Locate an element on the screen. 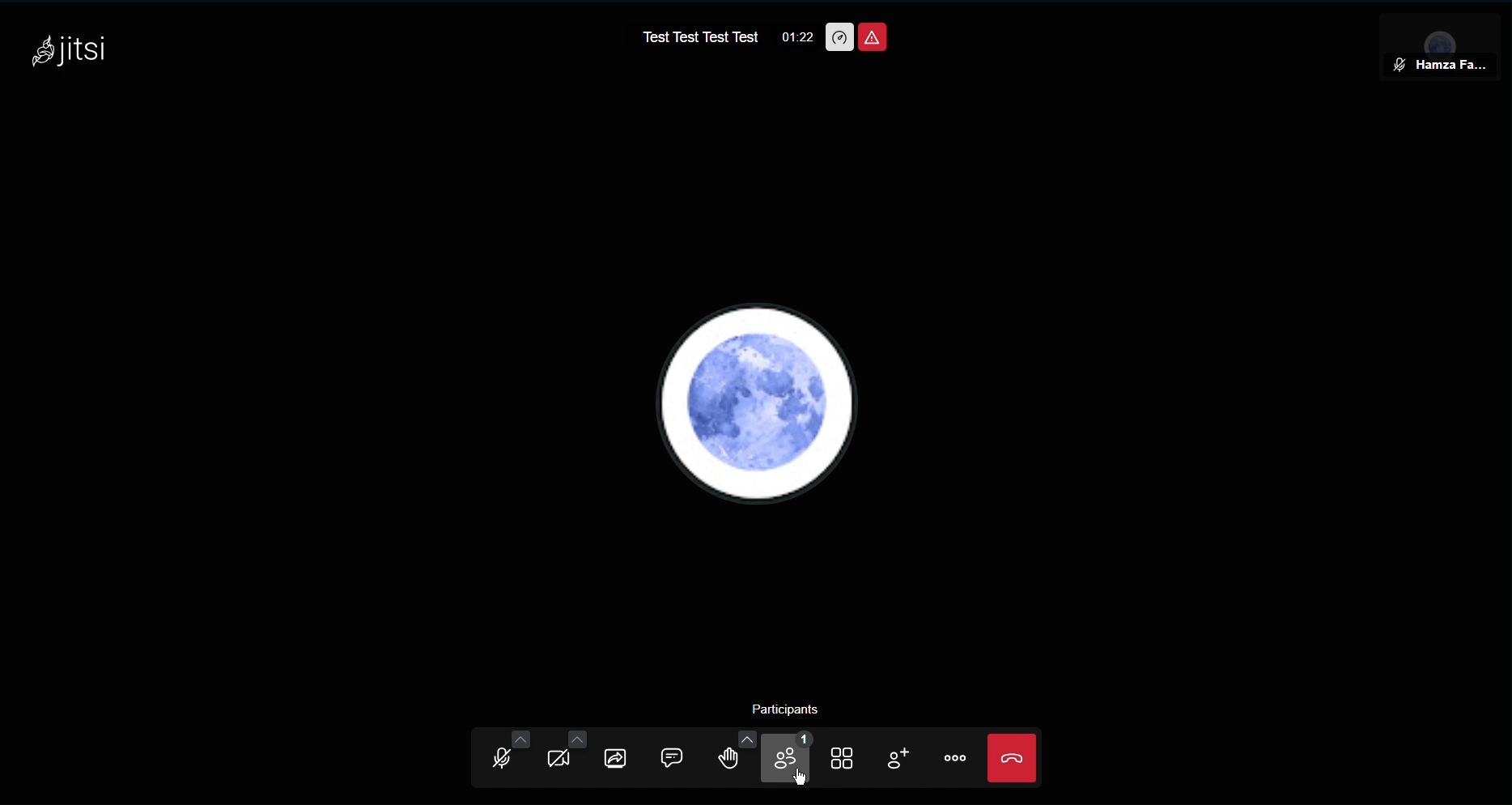  Account PFP is located at coordinates (753, 402).